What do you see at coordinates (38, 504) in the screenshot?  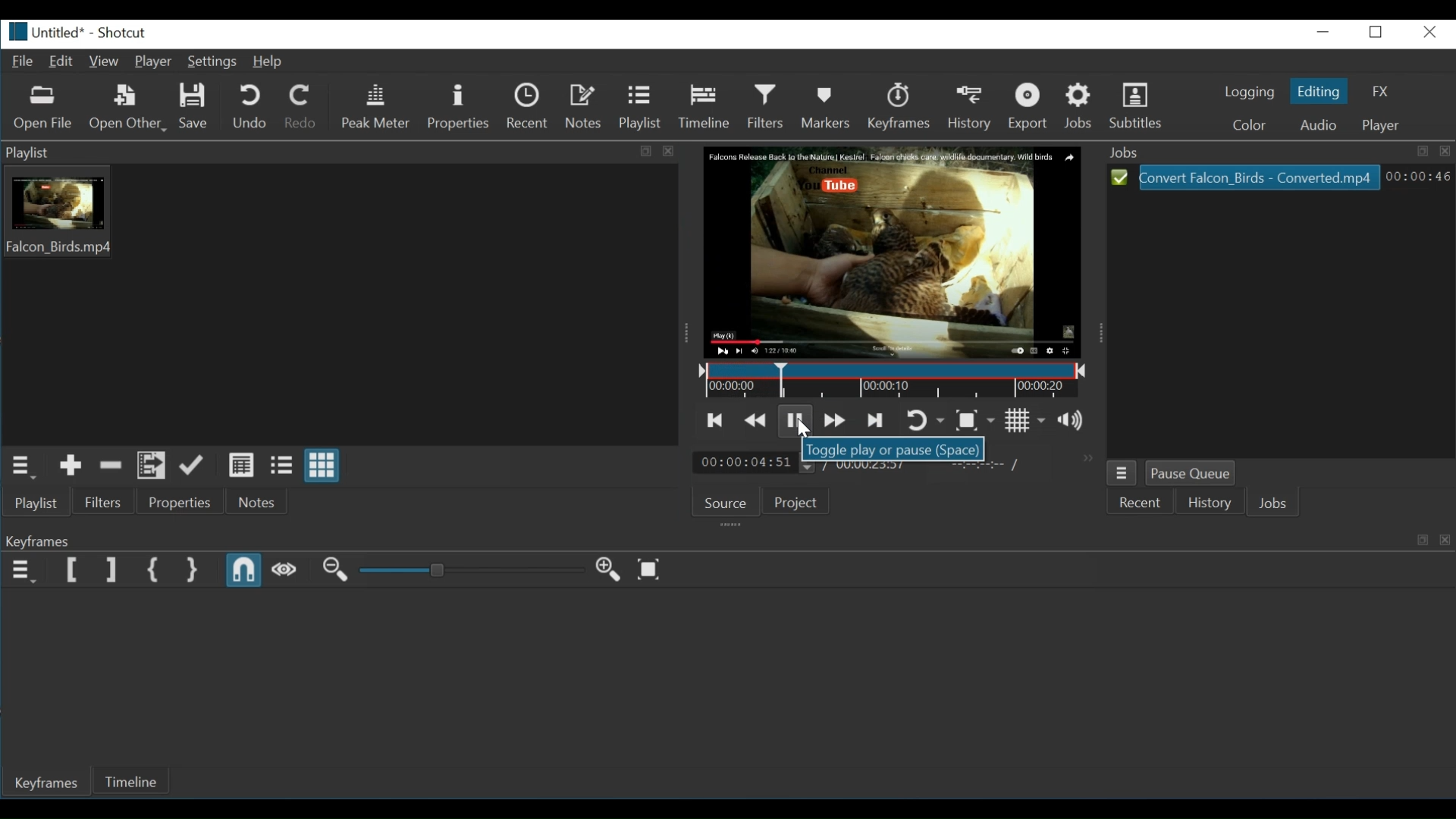 I see `Playlist` at bounding box center [38, 504].